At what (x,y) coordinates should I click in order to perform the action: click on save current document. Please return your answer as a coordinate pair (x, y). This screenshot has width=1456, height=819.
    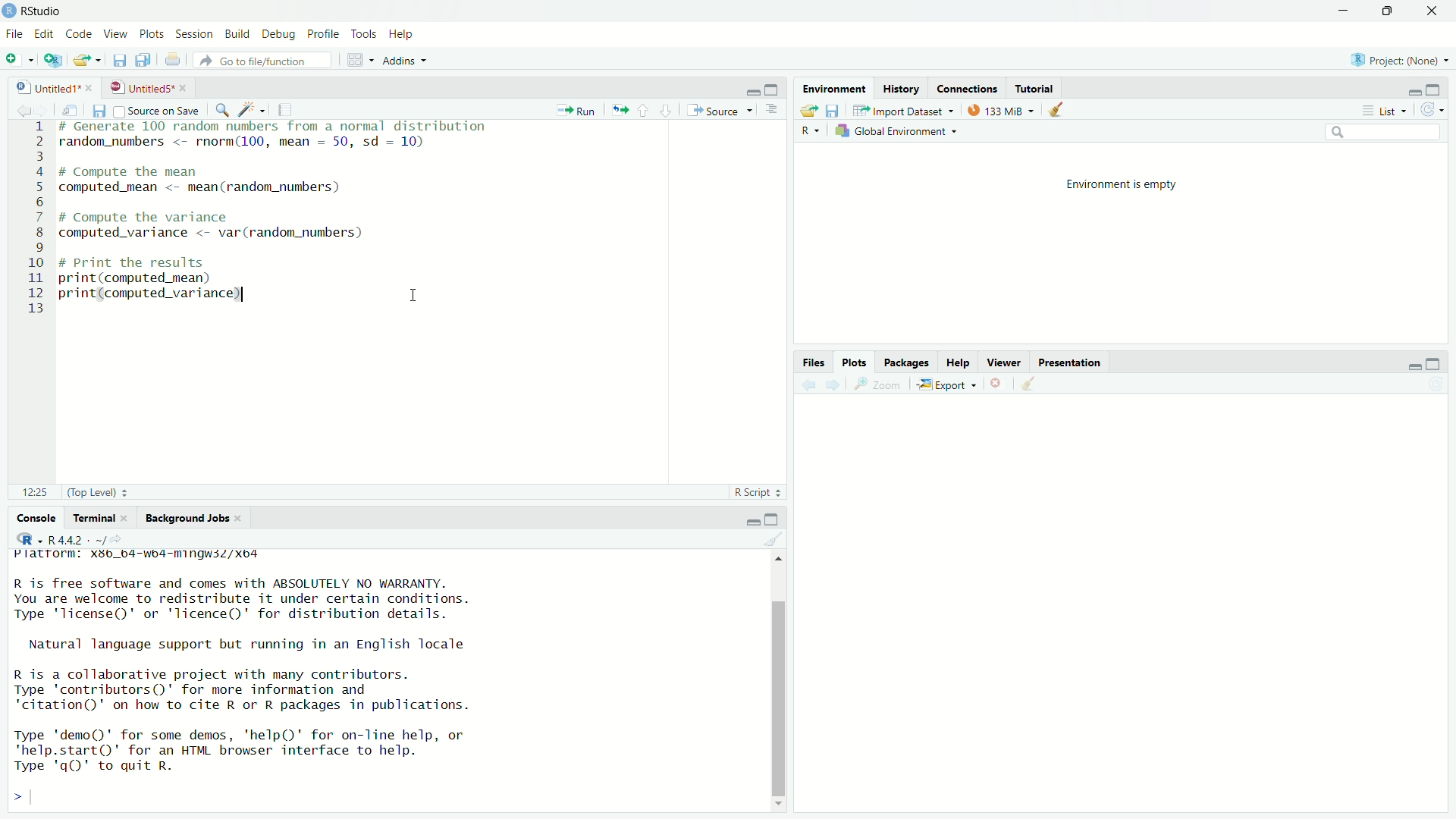
    Looking at the image, I should click on (99, 110).